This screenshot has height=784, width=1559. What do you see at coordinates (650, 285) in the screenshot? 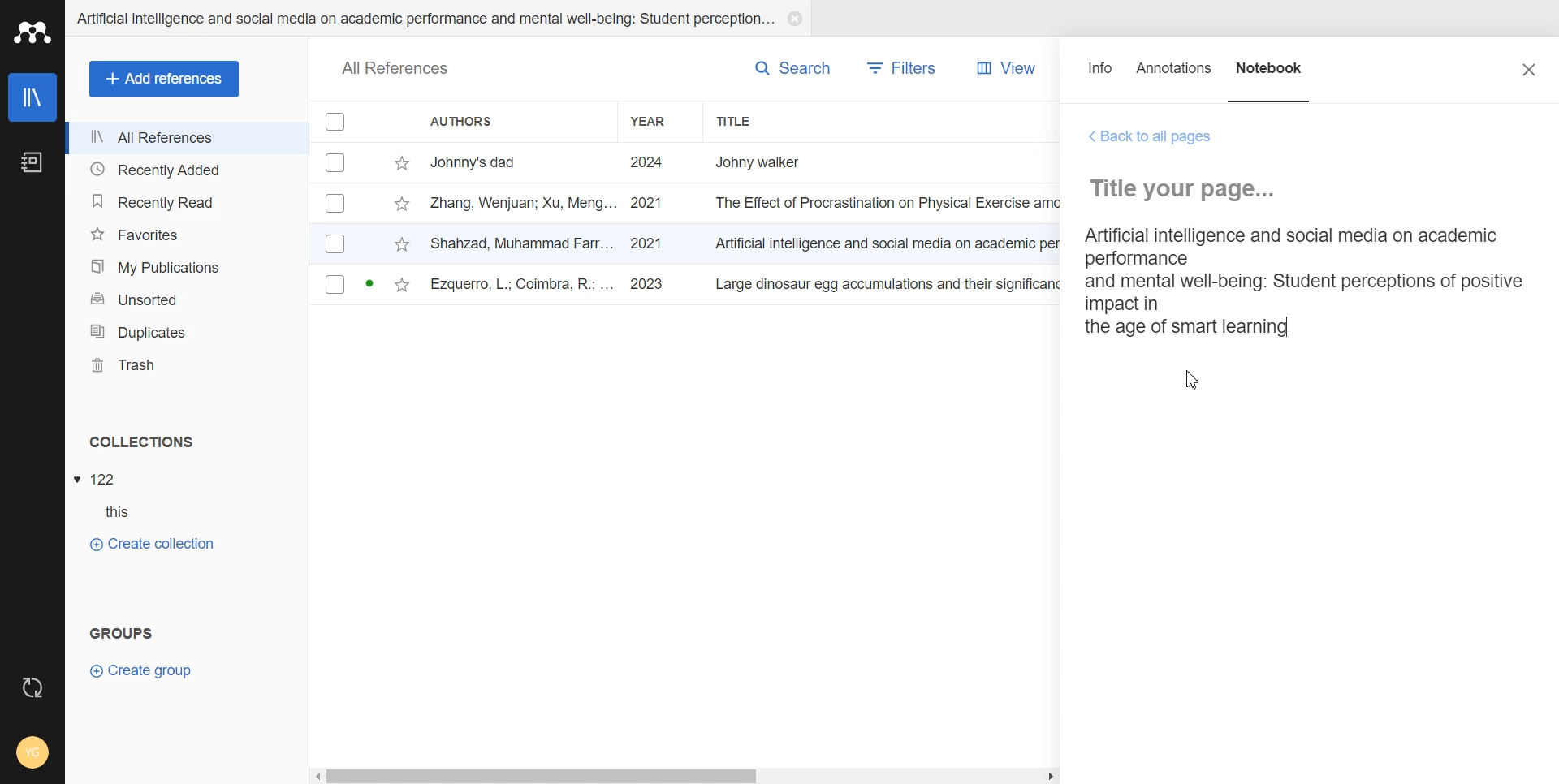
I see `2023` at bounding box center [650, 285].